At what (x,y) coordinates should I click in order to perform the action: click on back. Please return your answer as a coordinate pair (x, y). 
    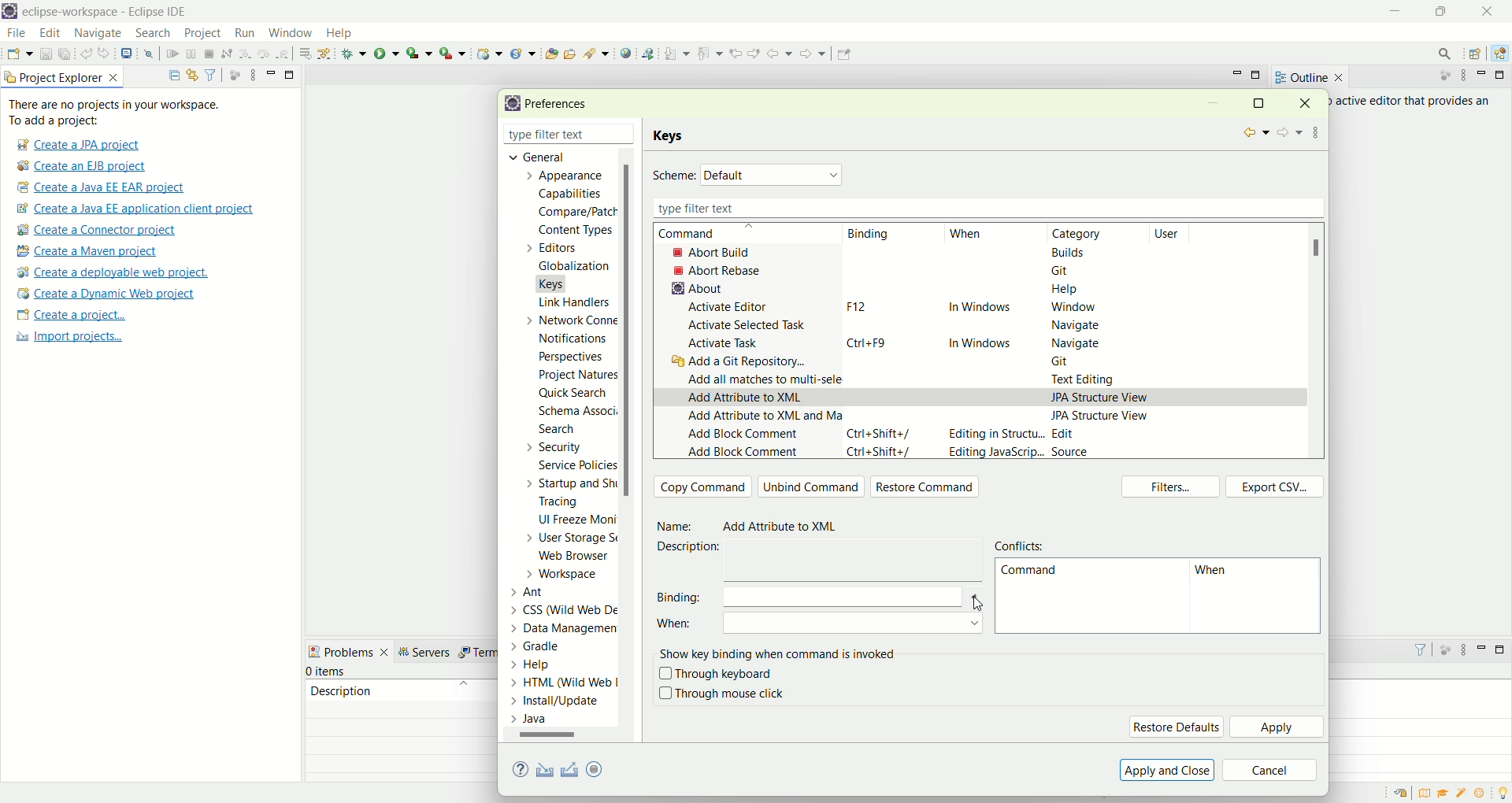
    Looking at the image, I should click on (1254, 133).